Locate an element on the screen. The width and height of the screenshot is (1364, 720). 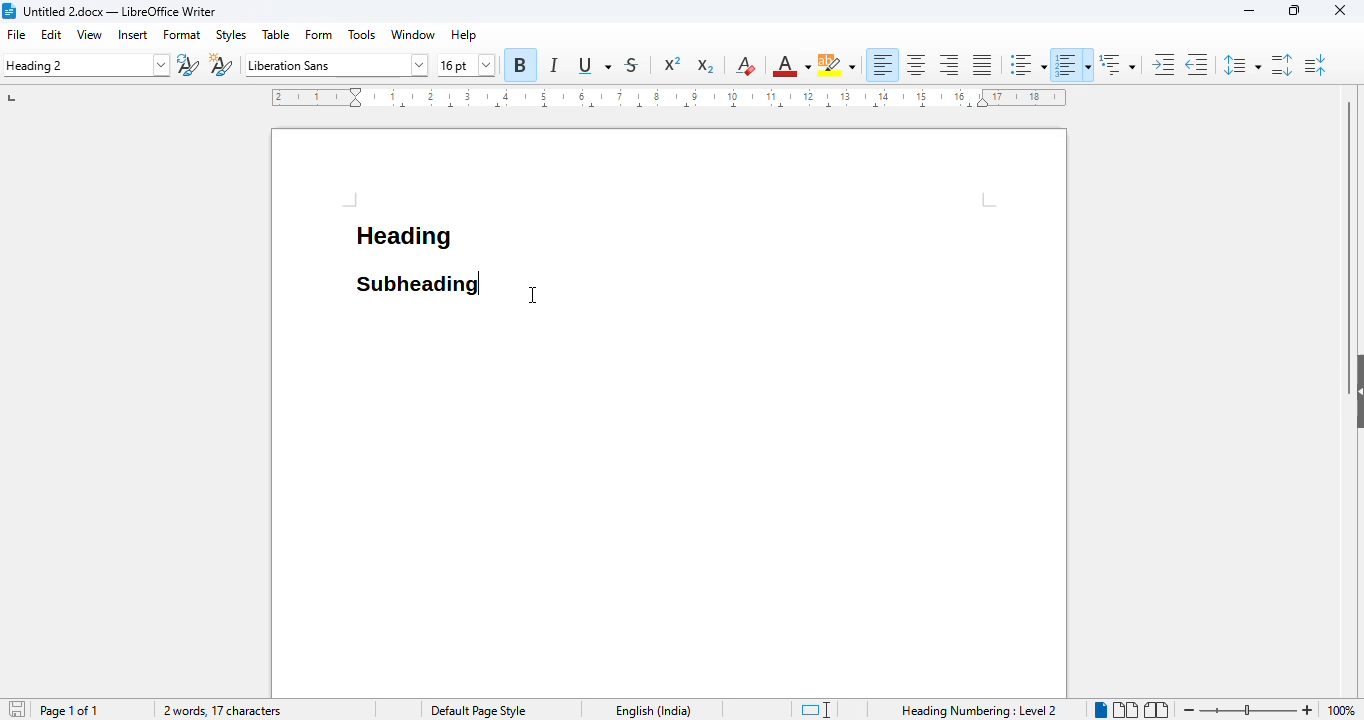
font name is located at coordinates (334, 64).